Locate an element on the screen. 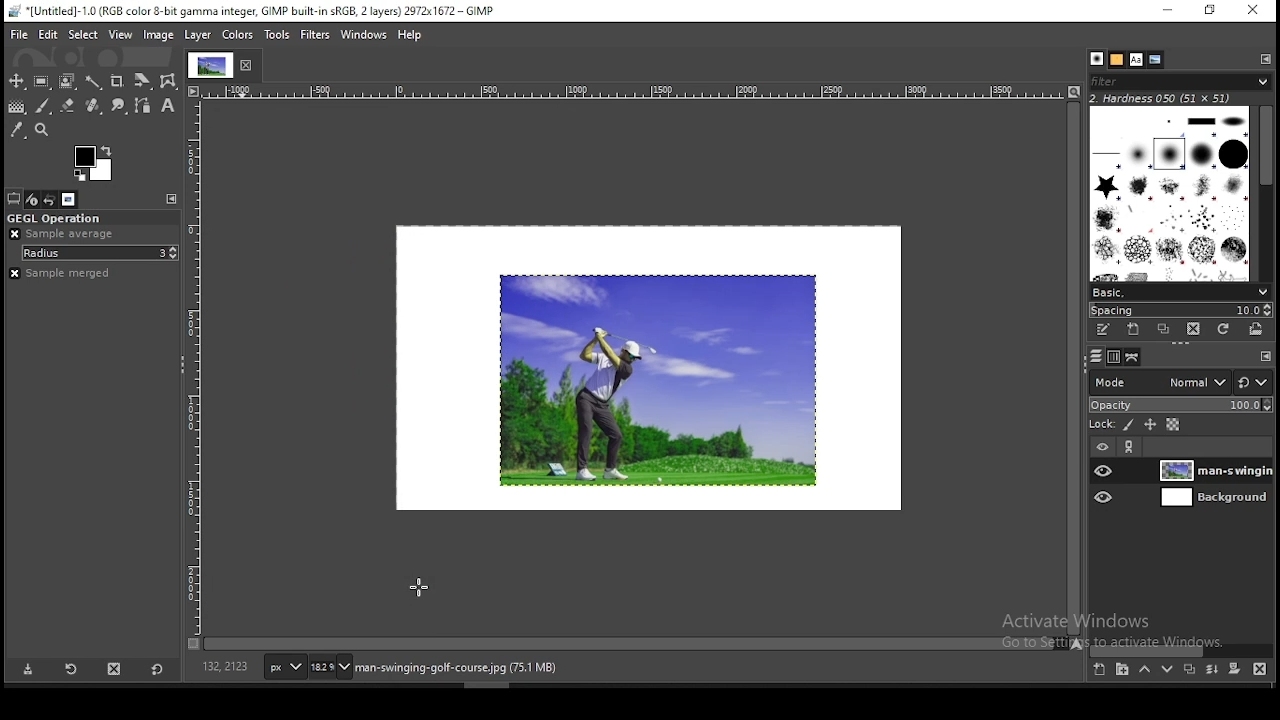  units is located at coordinates (288, 667).